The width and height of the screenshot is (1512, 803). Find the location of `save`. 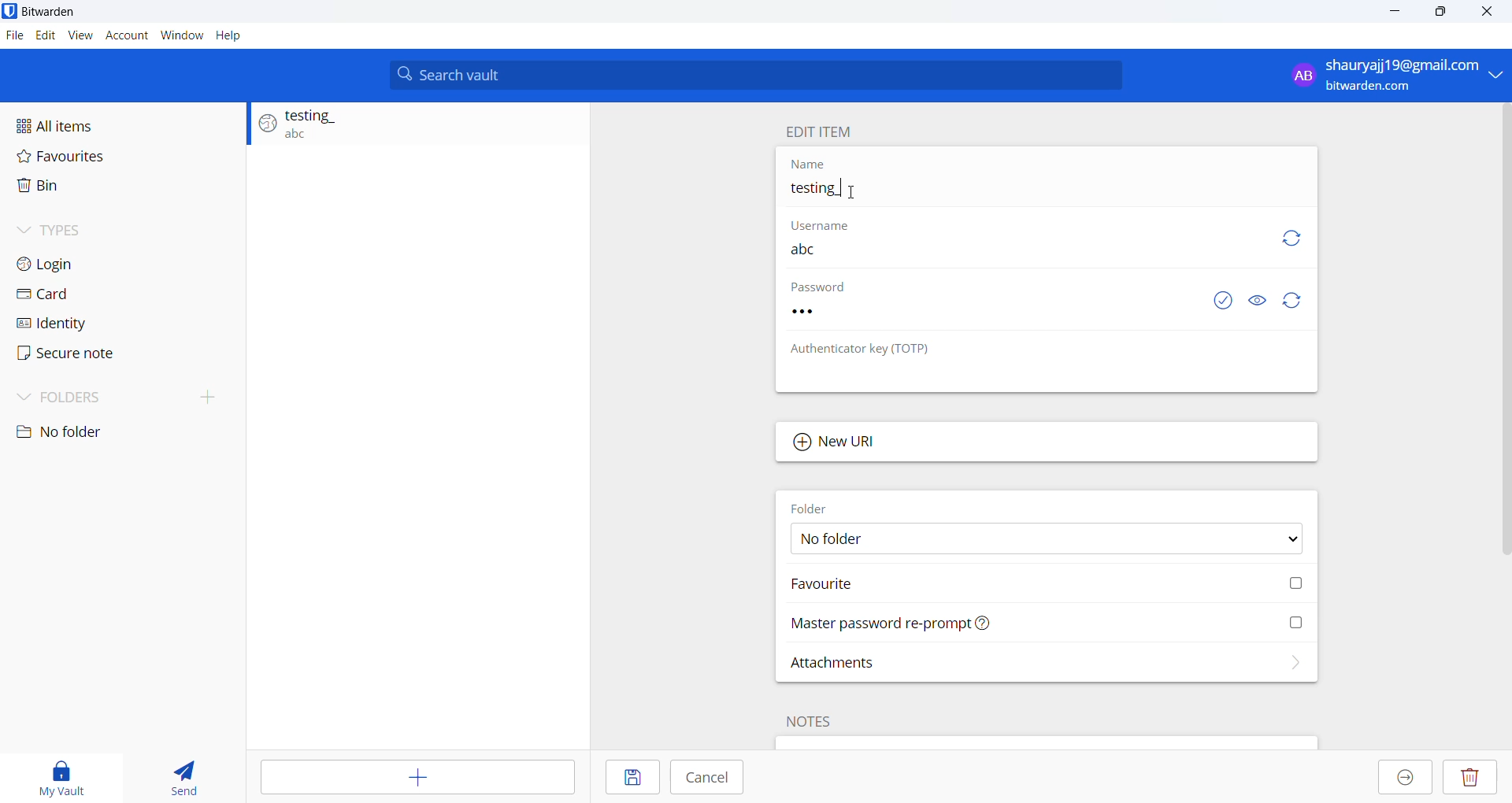

save is located at coordinates (632, 779).